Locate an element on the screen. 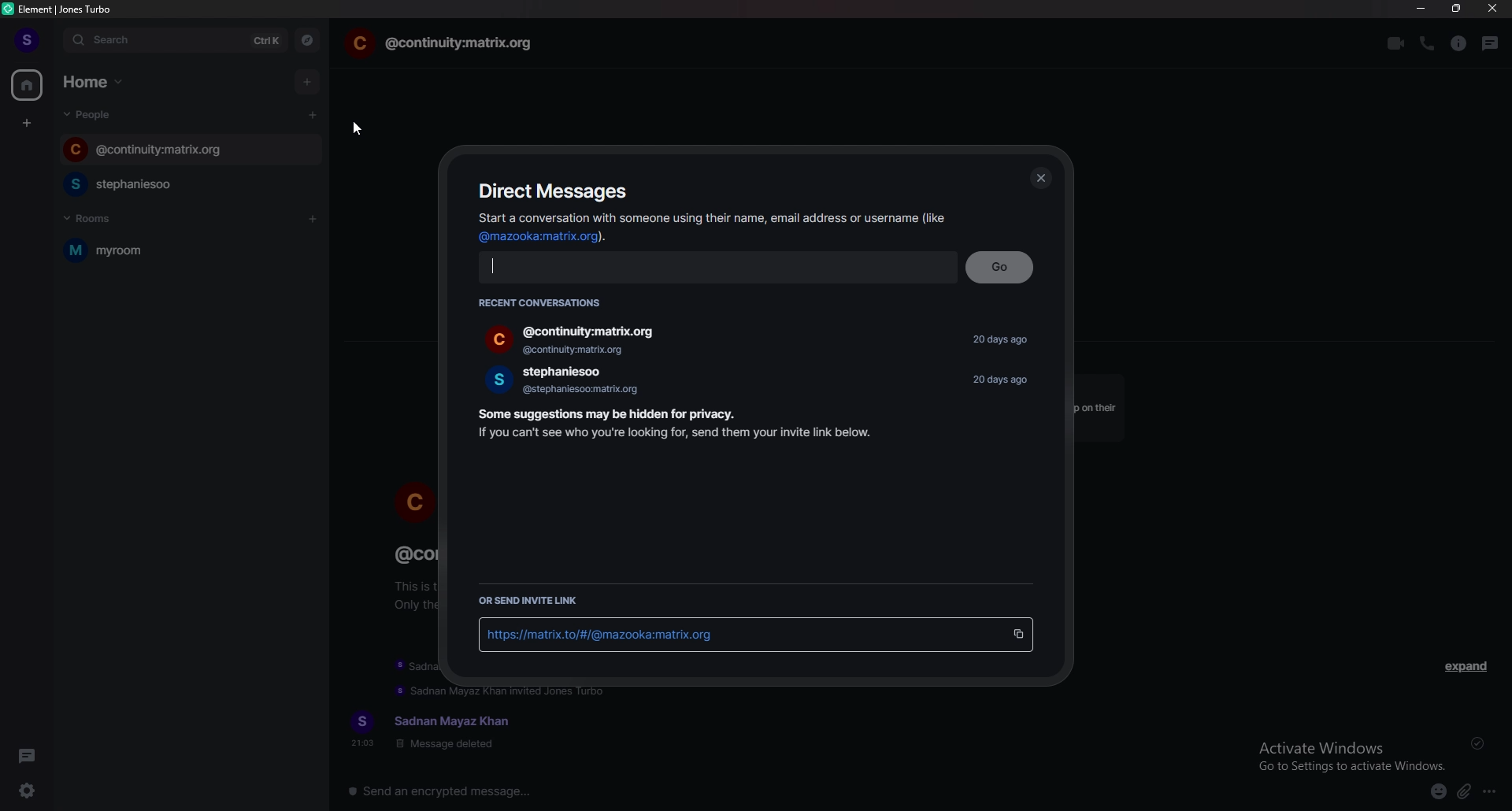  link is located at coordinates (616, 633).